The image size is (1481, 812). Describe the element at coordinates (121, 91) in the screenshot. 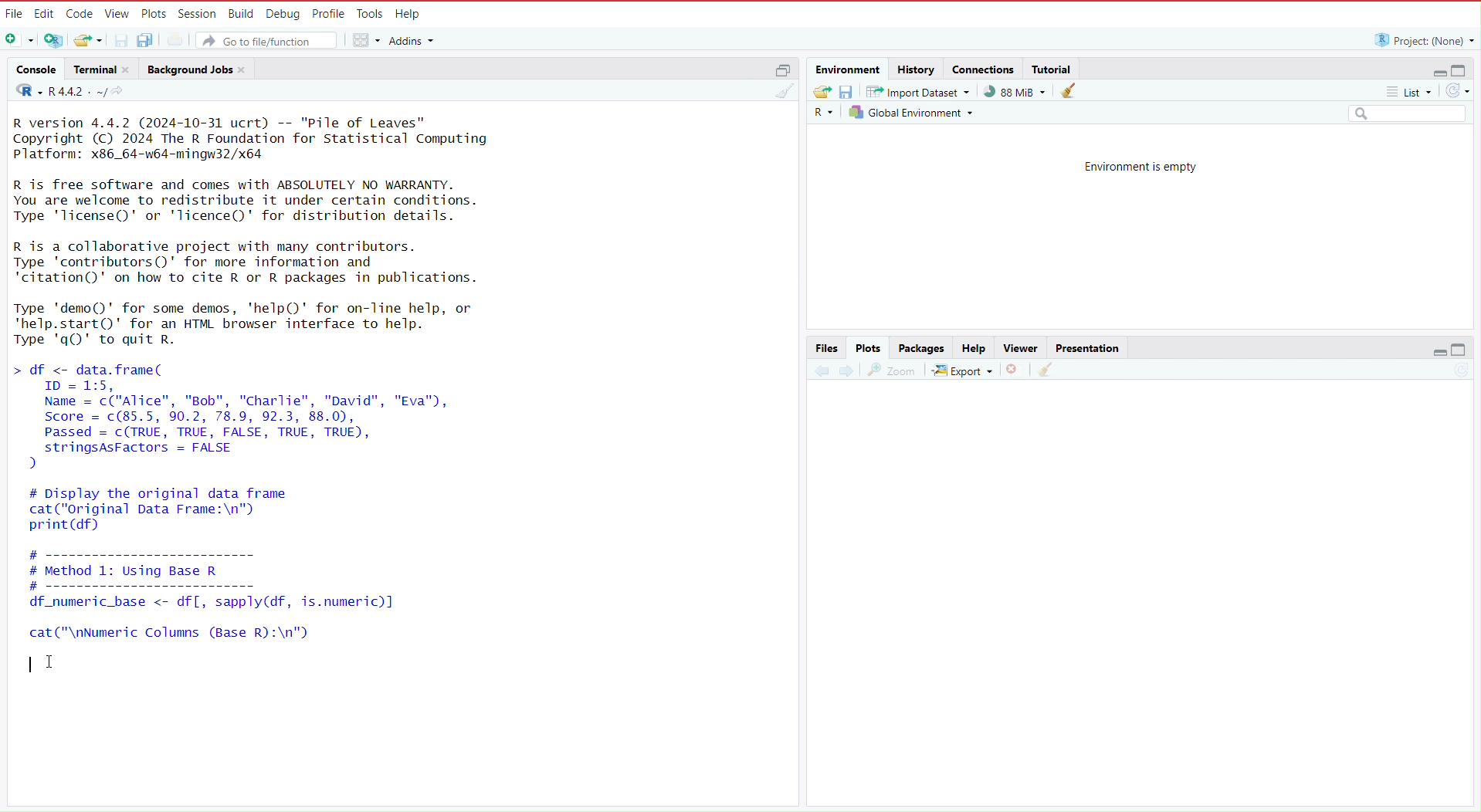

I see `view the current working directory` at that location.